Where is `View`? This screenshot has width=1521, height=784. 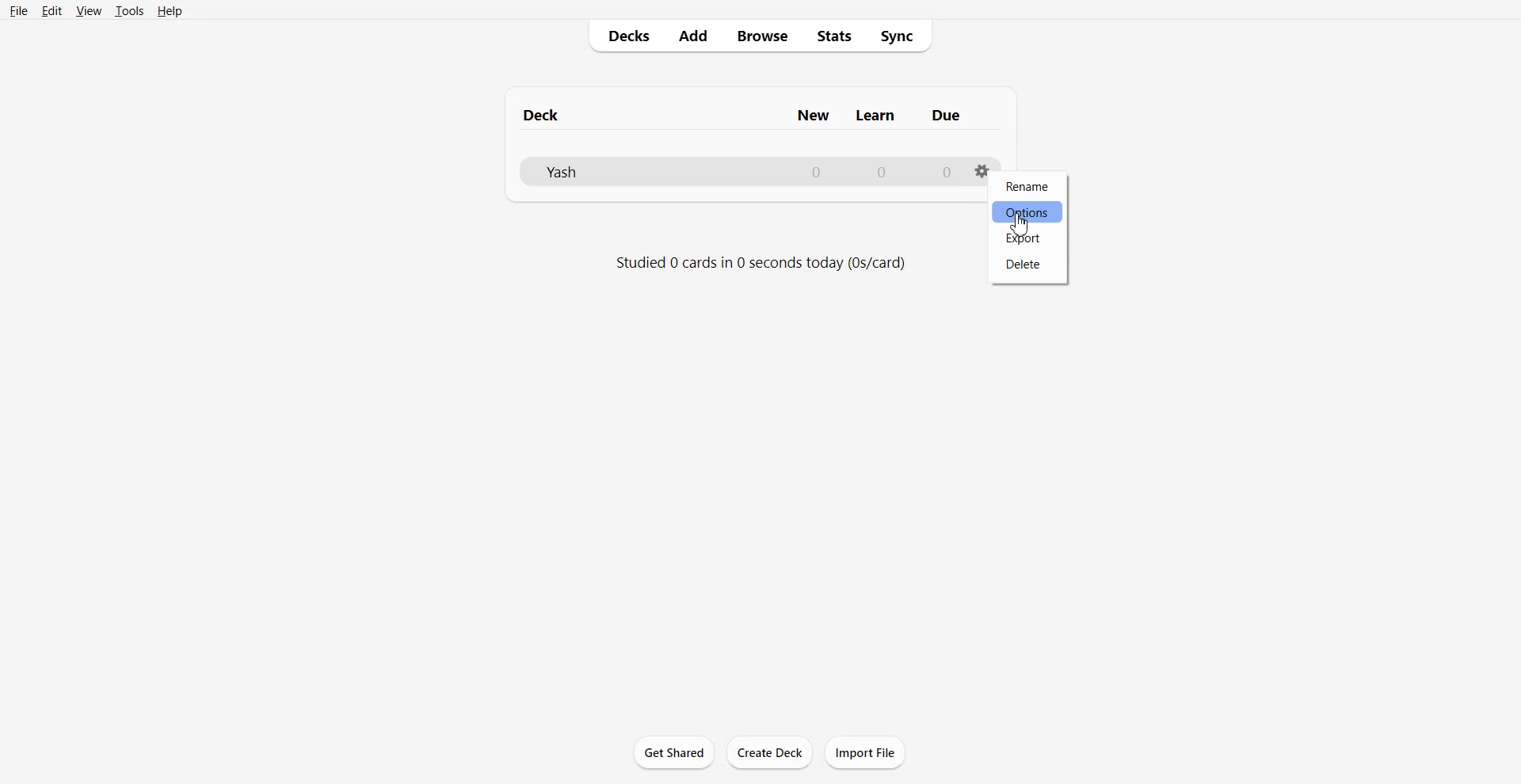 View is located at coordinates (88, 11).